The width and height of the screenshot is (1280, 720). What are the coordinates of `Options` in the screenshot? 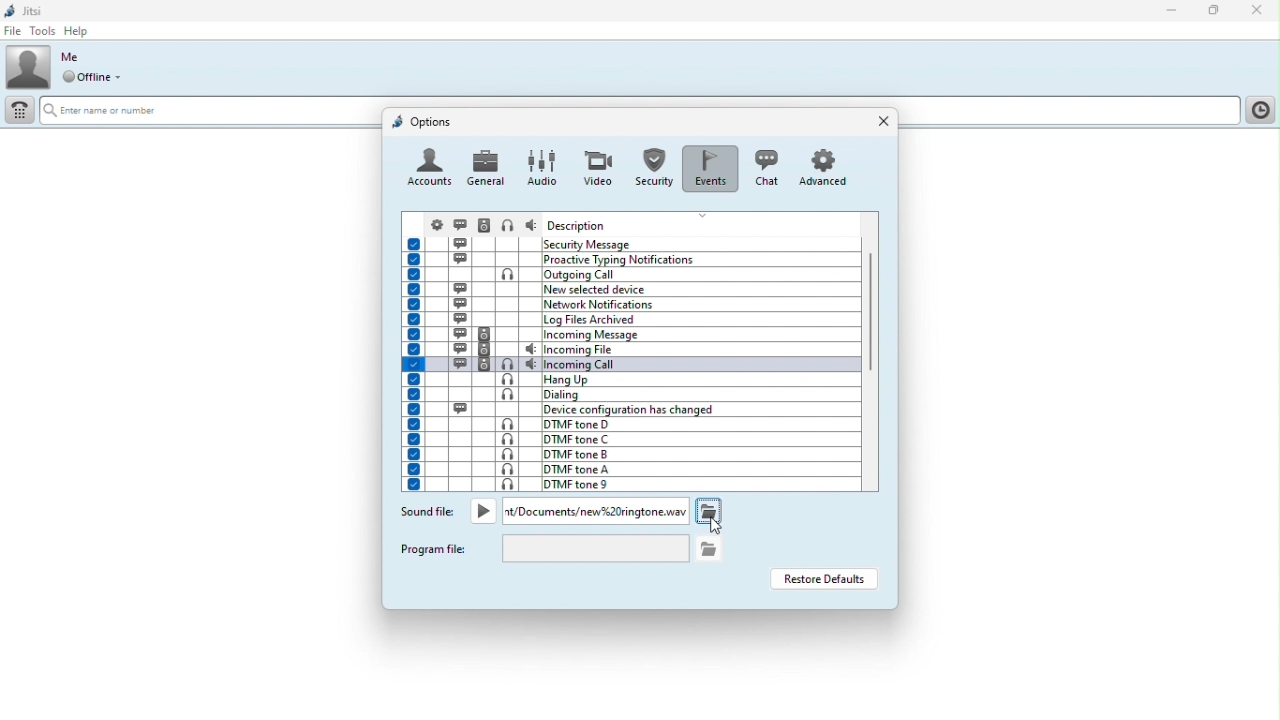 It's located at (423, 121).